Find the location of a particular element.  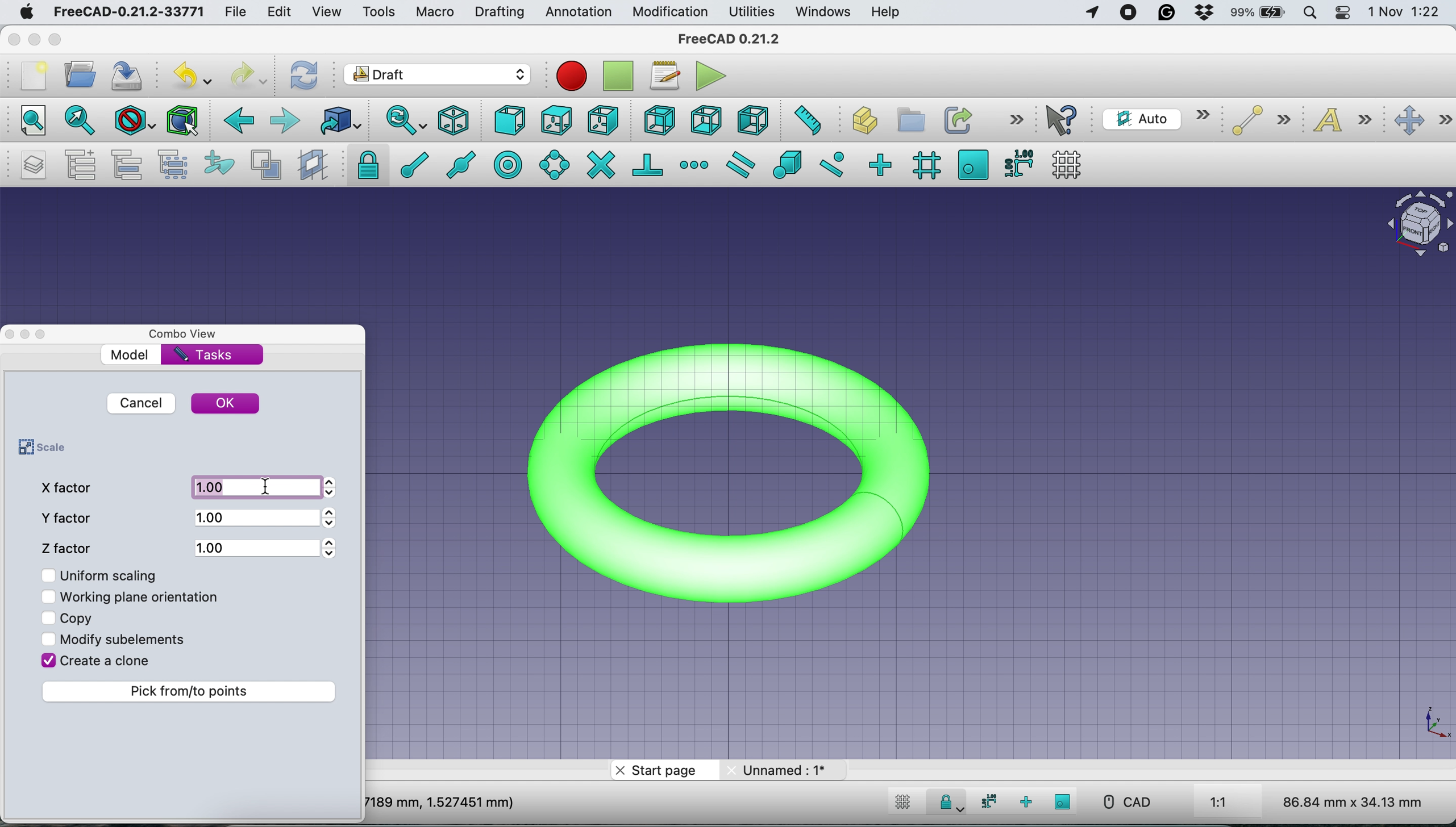

maximise is located at coordinates (57, 40).